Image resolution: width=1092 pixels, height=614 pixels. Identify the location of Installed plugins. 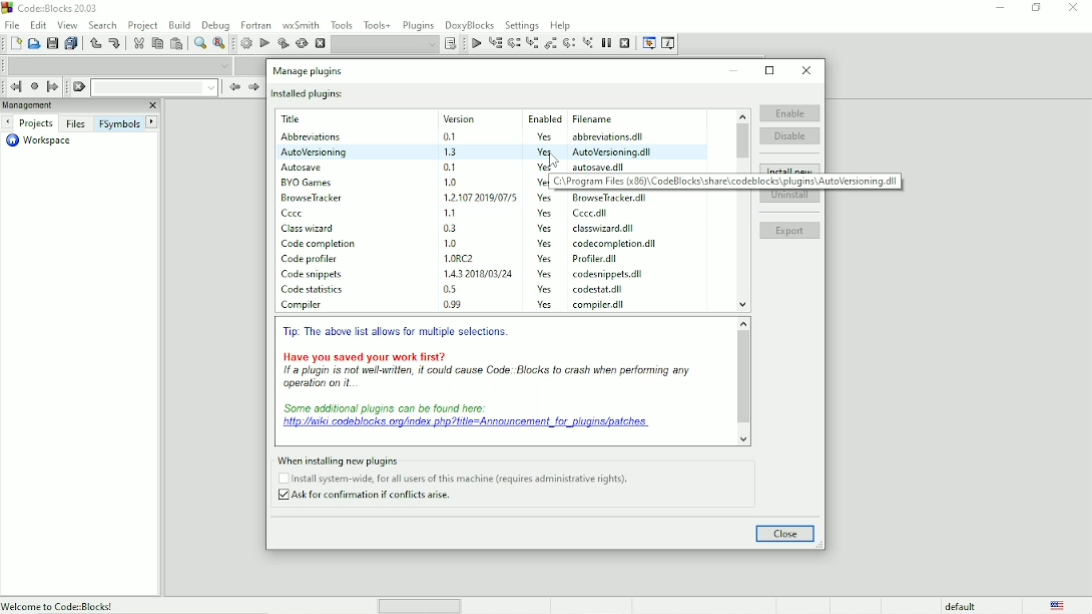
(307, 93).